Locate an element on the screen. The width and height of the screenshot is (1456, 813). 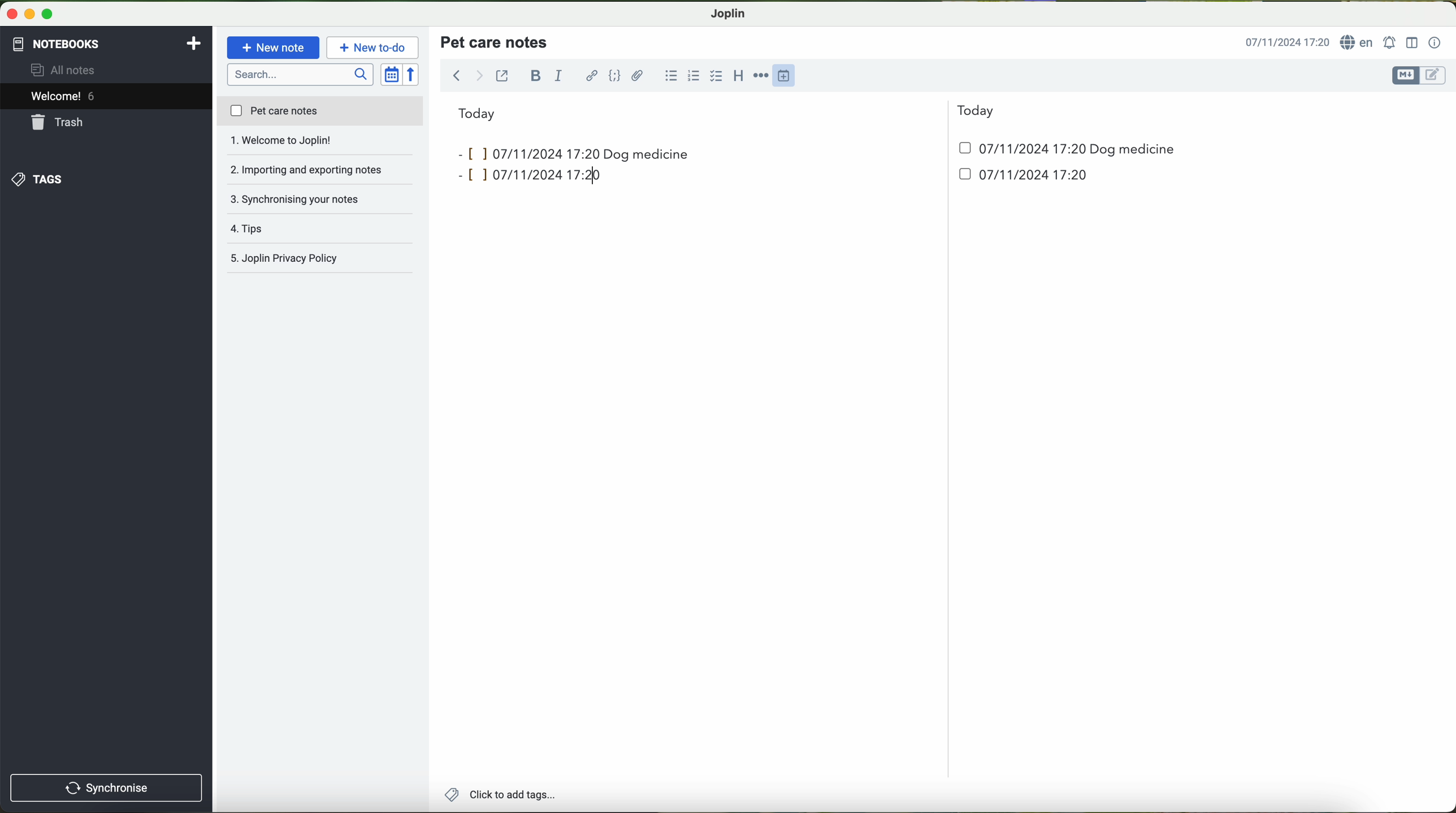
search bar is located at coordinates (302, 73).